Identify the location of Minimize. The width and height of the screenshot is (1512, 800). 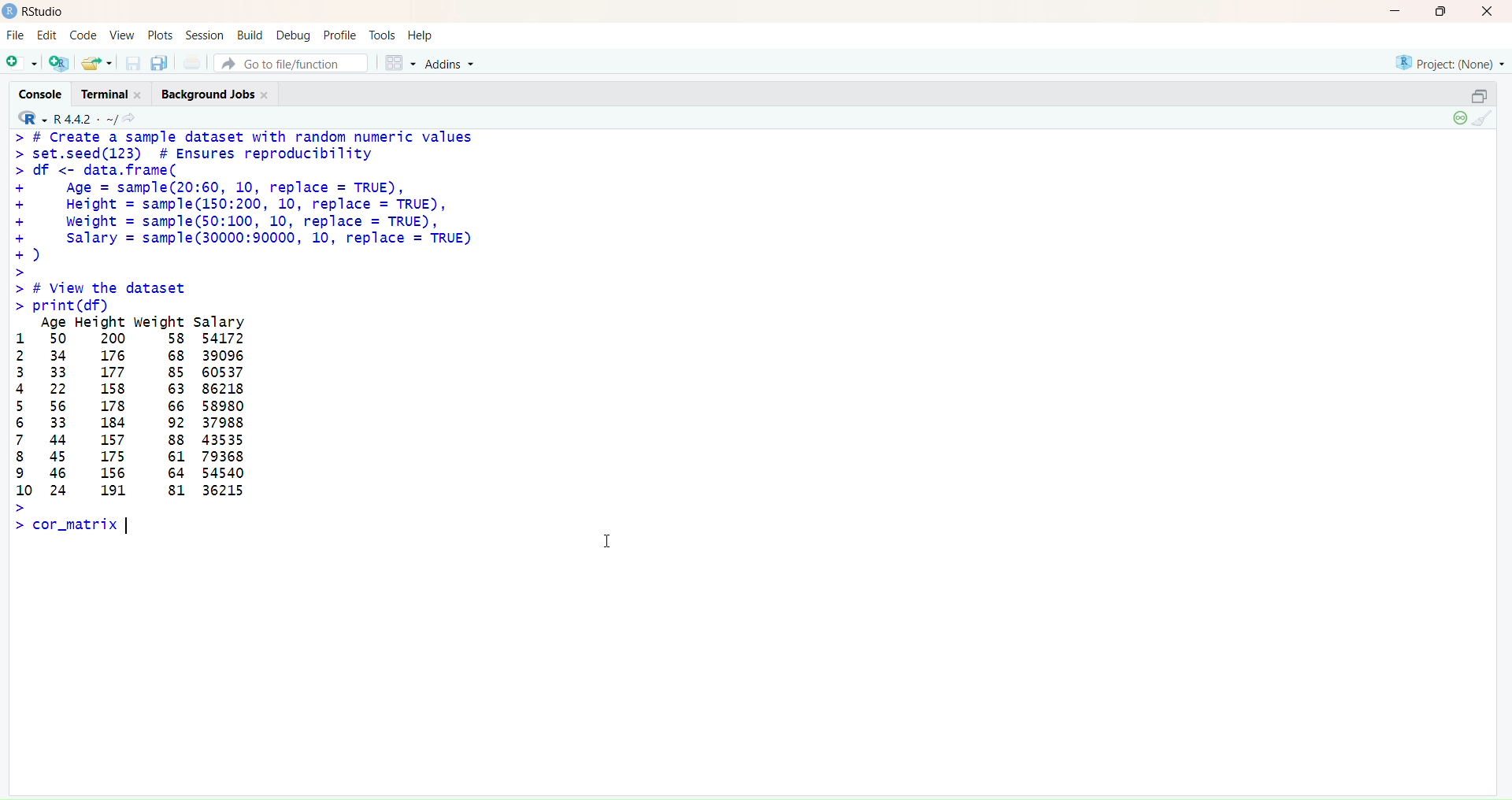
(1395, 12).